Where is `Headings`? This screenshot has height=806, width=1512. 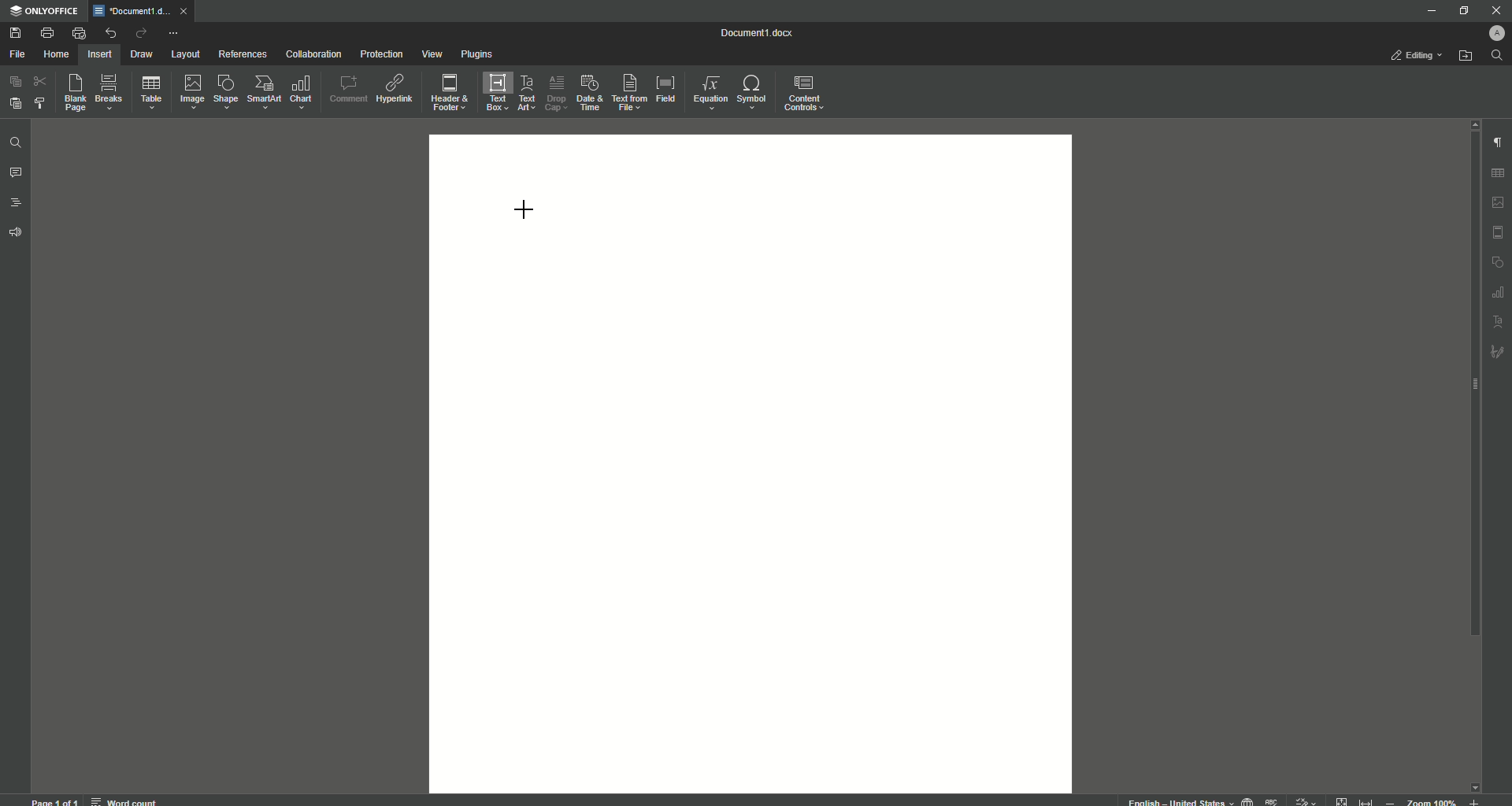 Headings is located at coordinates (17, 203).